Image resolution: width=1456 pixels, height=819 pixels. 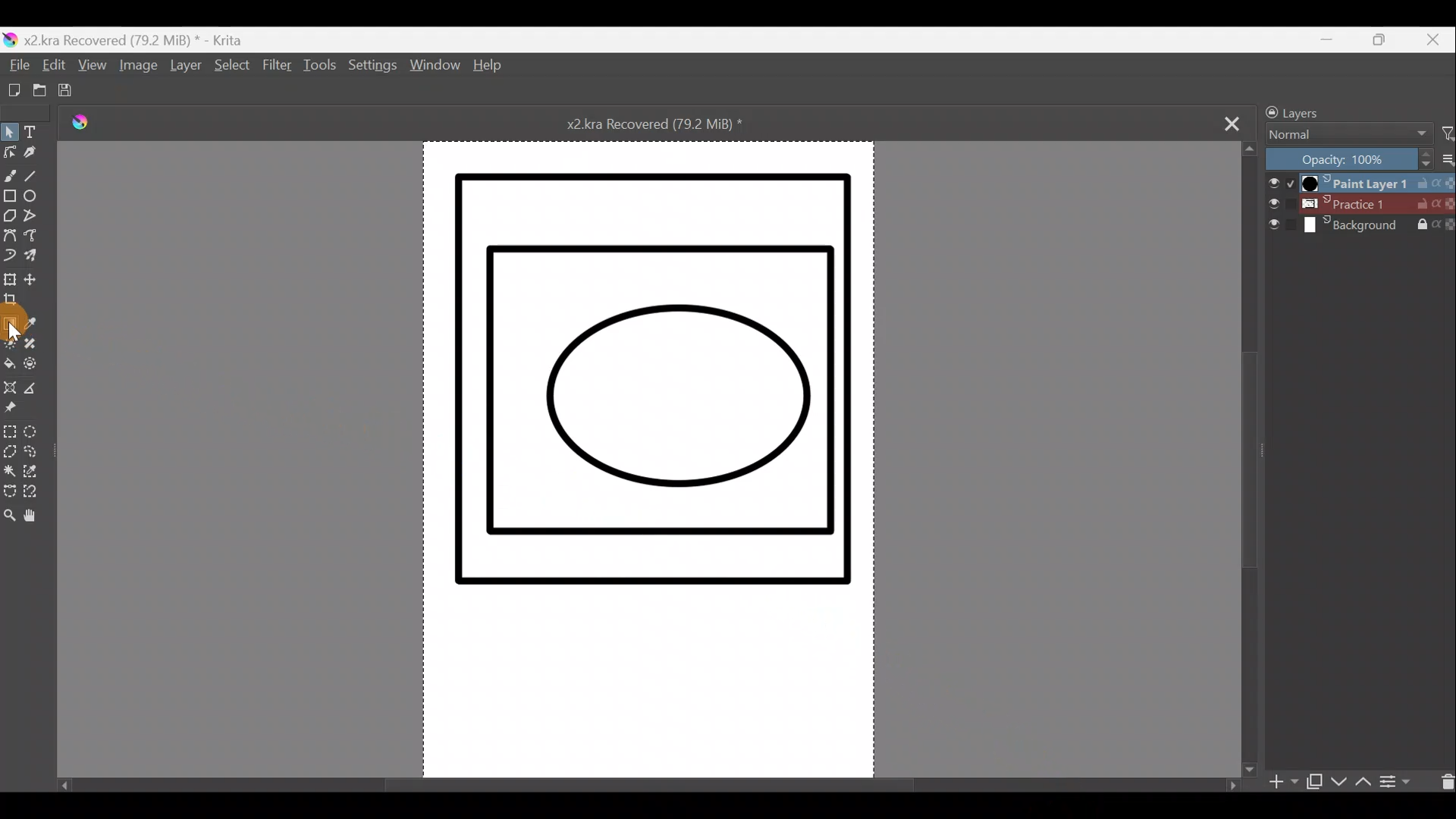 I want to click on Tools, so click(x=322, y=69).